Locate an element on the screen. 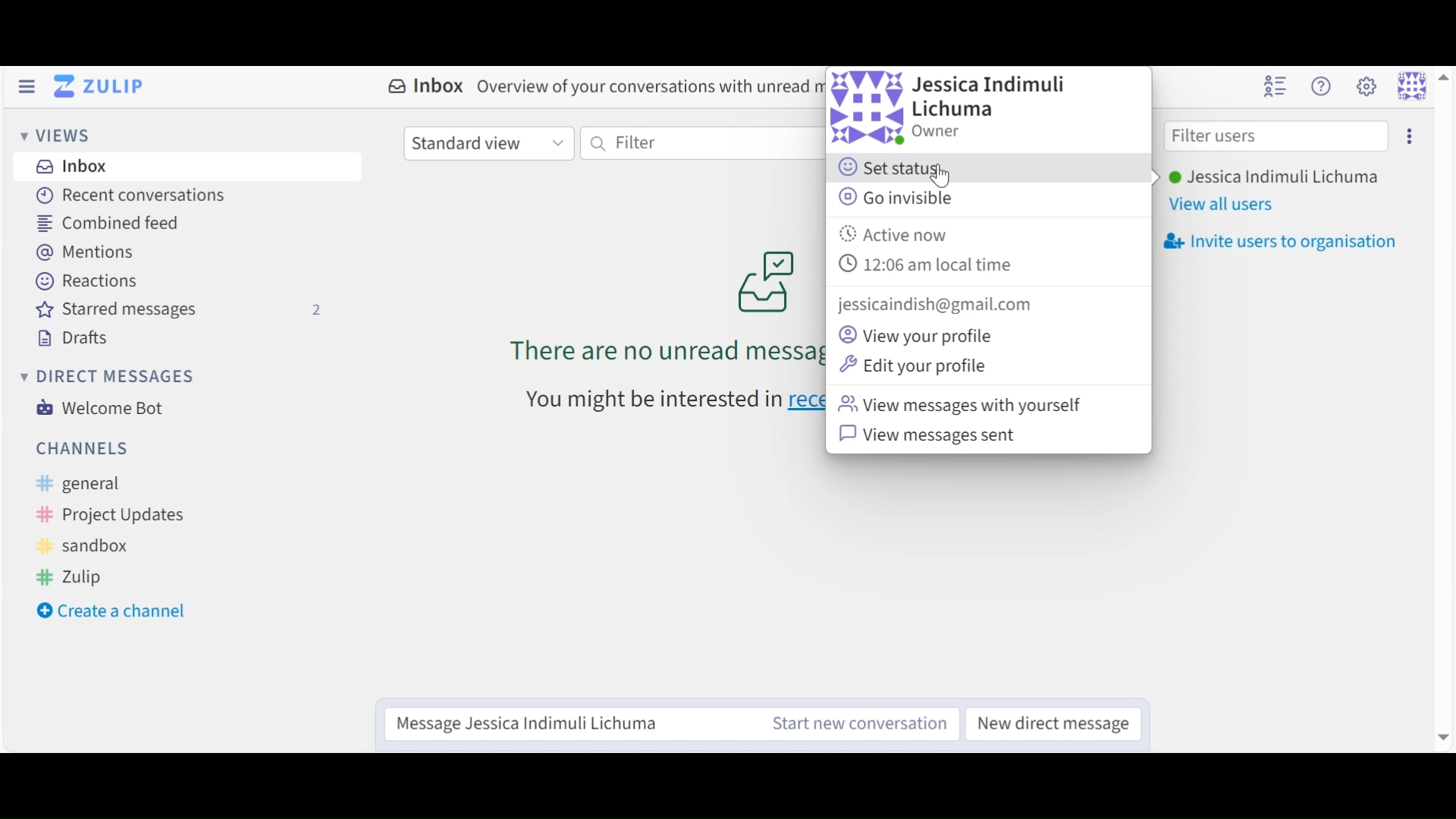  Inbox is located at coordinates (69, 165).